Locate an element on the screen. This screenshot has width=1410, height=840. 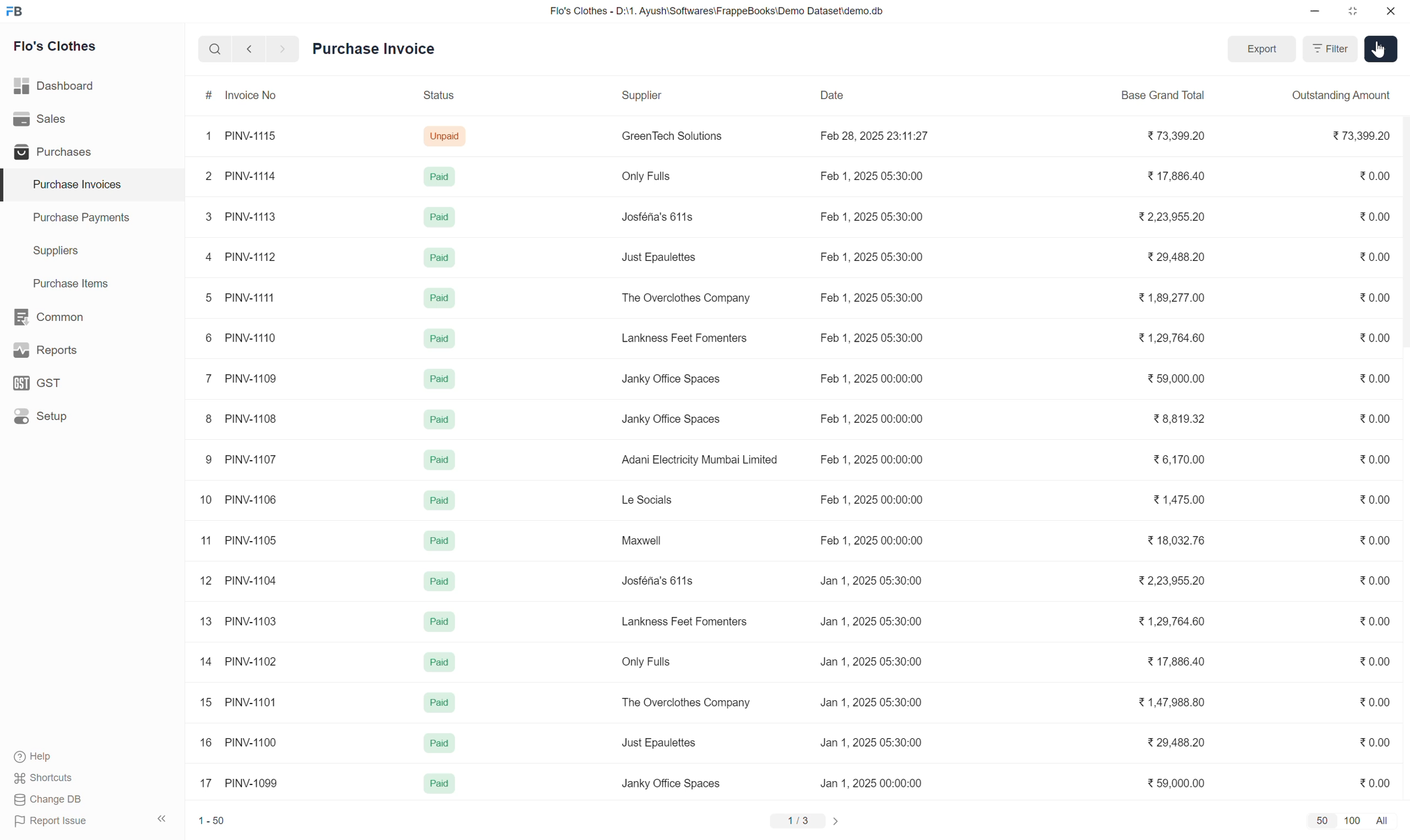
Status is located at coordinates (442, 98).